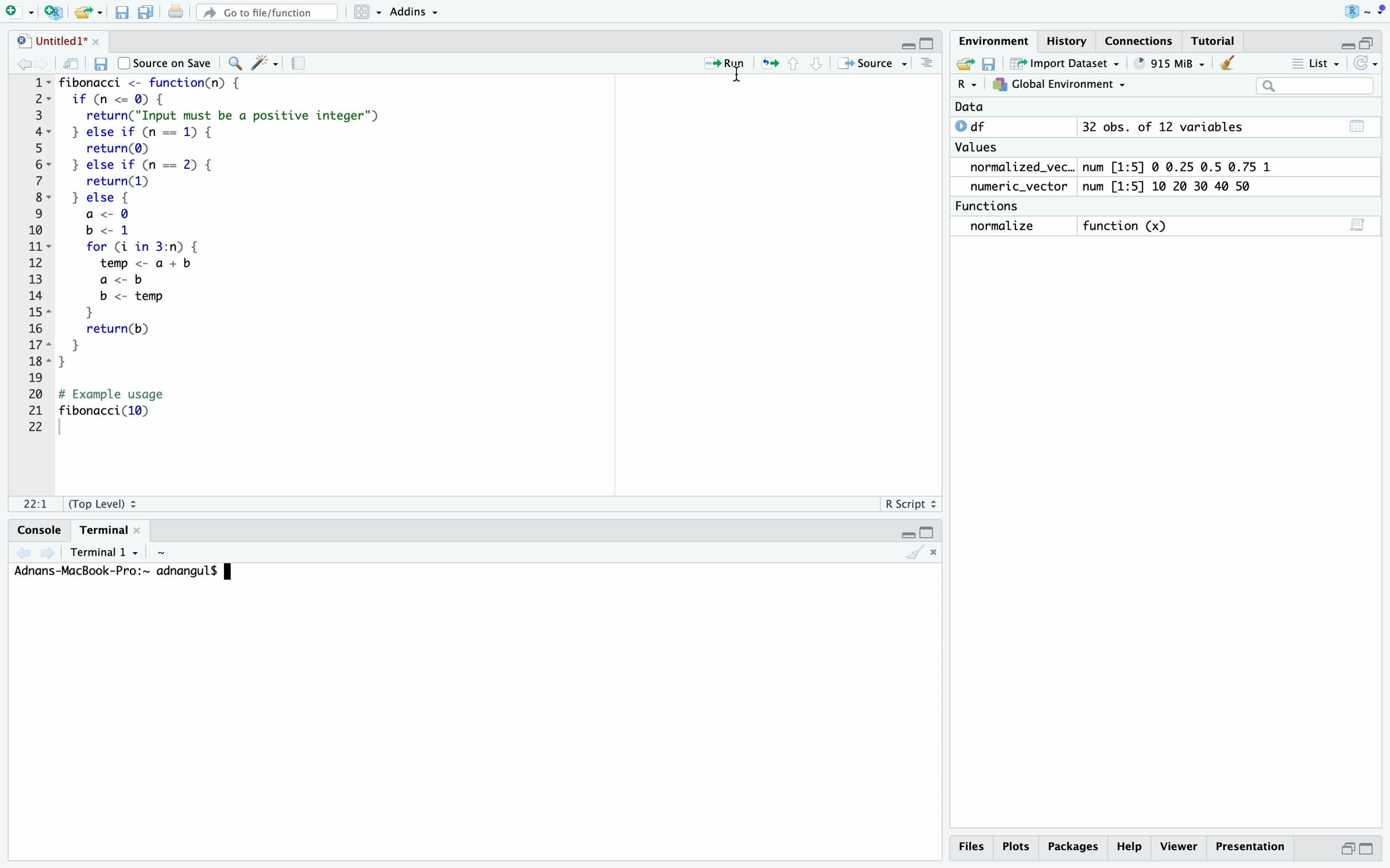  What do you see at coordinates (1018, 166) in the screenshot?
I see `normalized_vec..` at bounding box center [1018, 166].